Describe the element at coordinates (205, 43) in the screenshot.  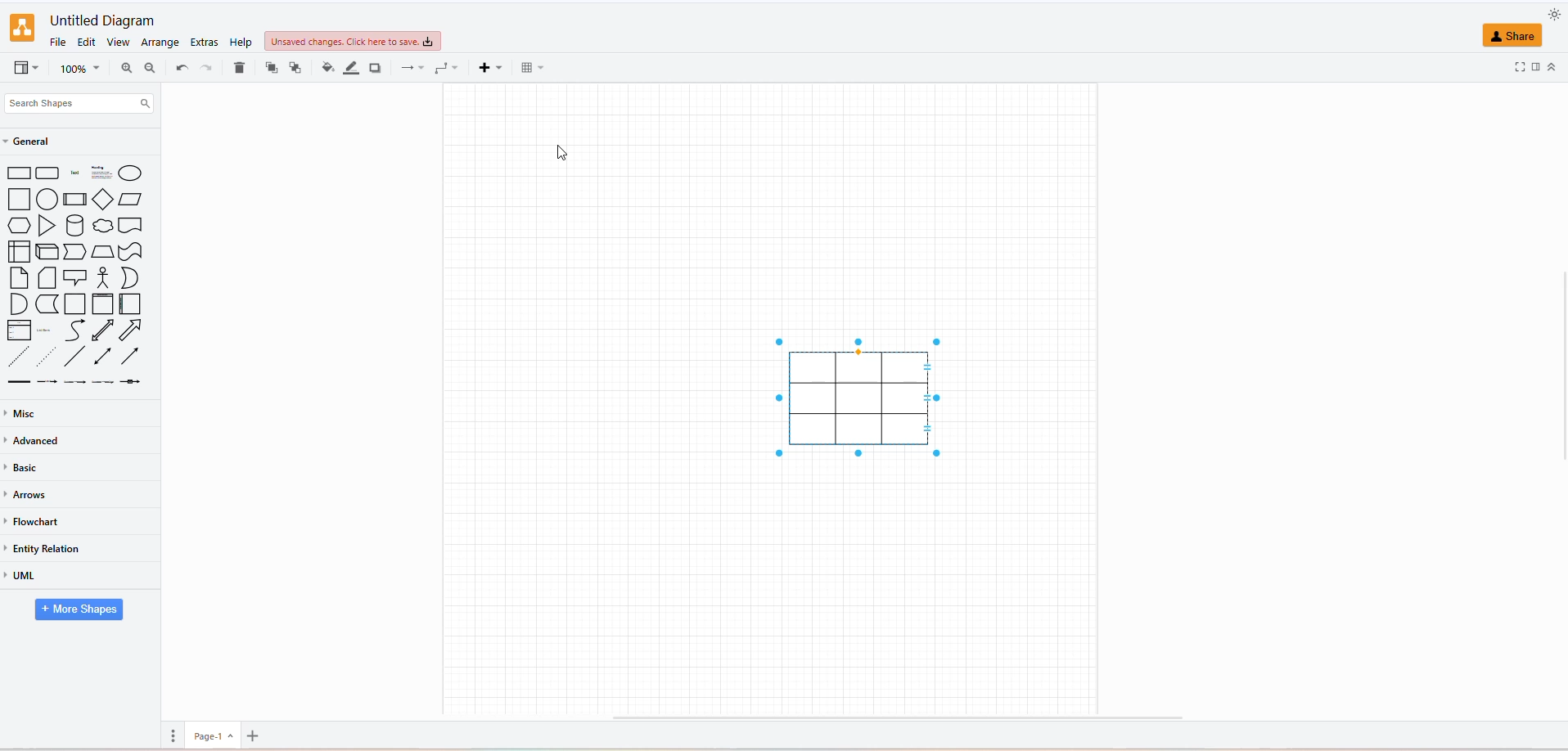
I see `extras` at that location.